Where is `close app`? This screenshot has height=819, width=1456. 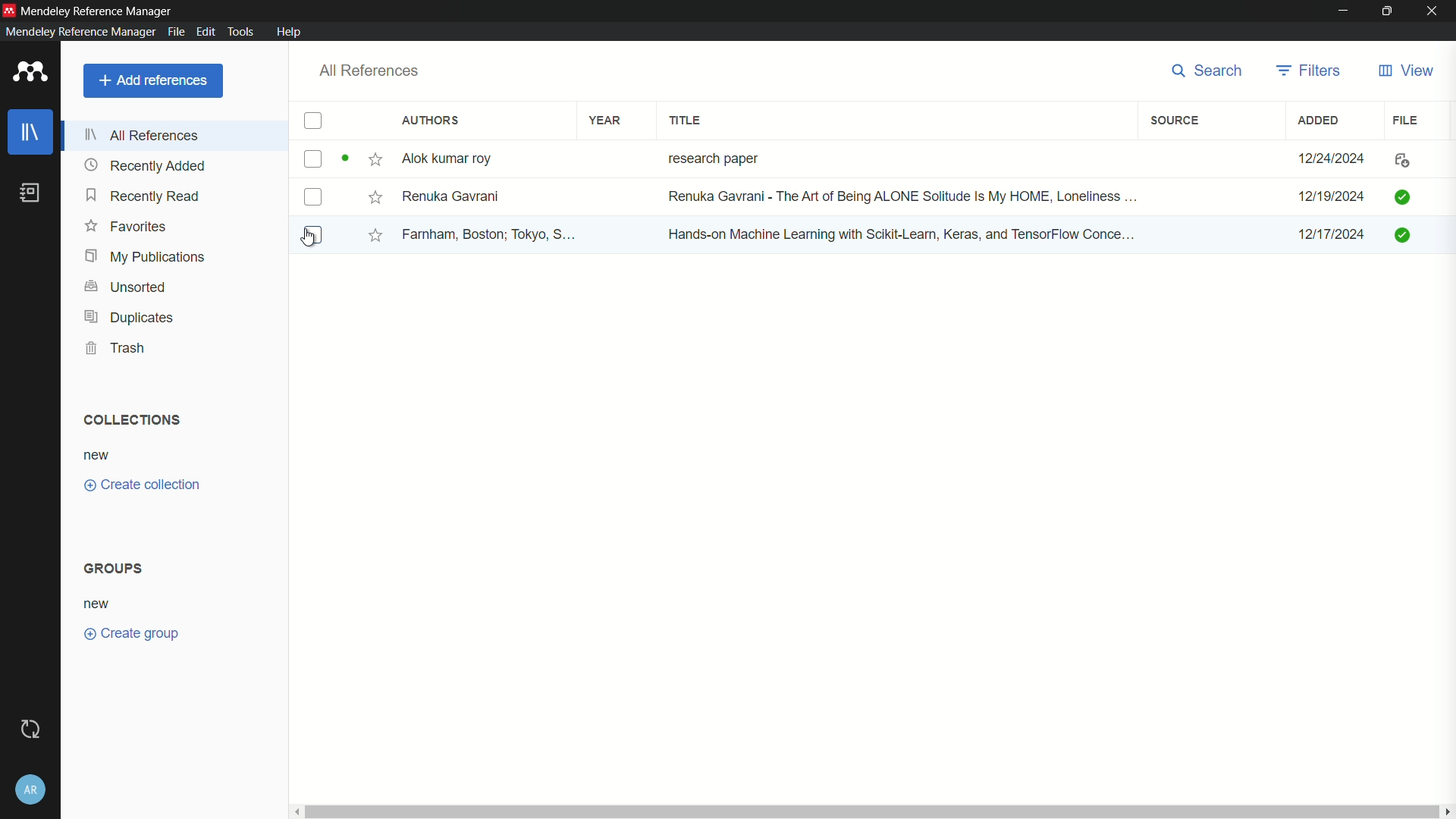 close app is located at coordinates (1435, 11).